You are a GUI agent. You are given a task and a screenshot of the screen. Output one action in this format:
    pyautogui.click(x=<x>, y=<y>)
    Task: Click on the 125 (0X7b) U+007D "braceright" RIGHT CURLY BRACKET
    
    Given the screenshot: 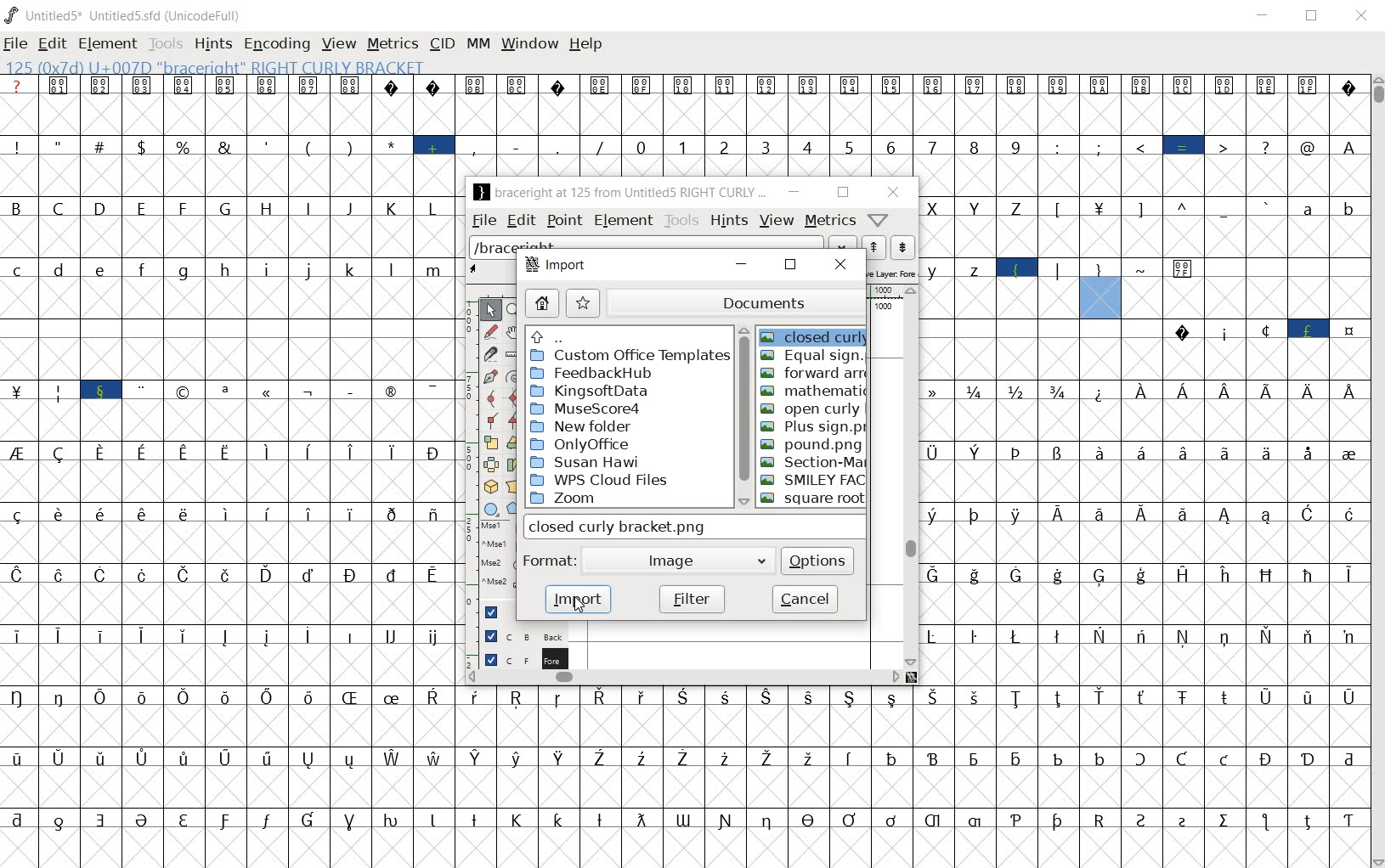 What is the action you would take?
    pyautogui.click(x=212, y=66)
    